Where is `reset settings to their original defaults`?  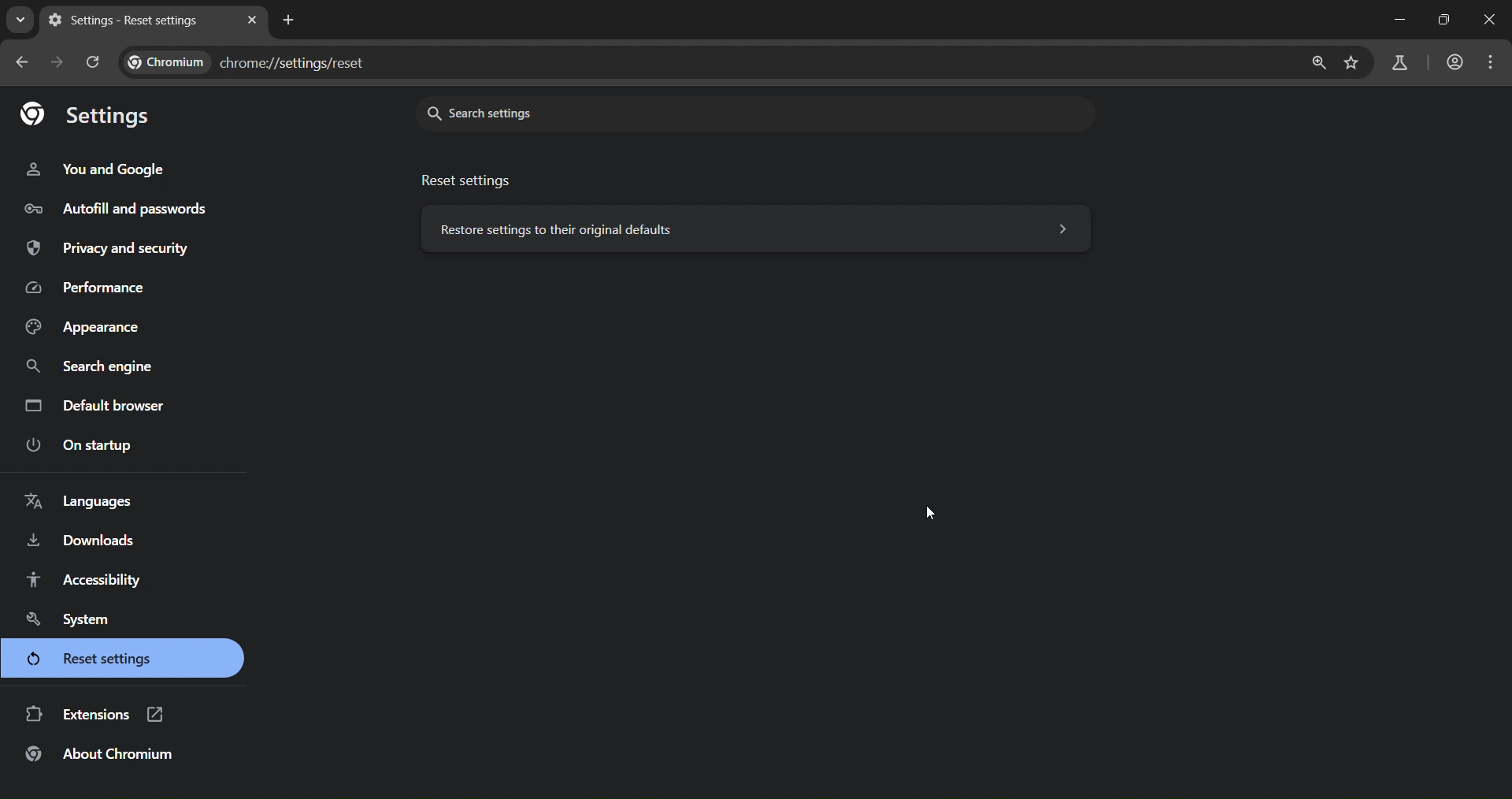 reset settings to their original defaults is located at coordinates (753, 230).